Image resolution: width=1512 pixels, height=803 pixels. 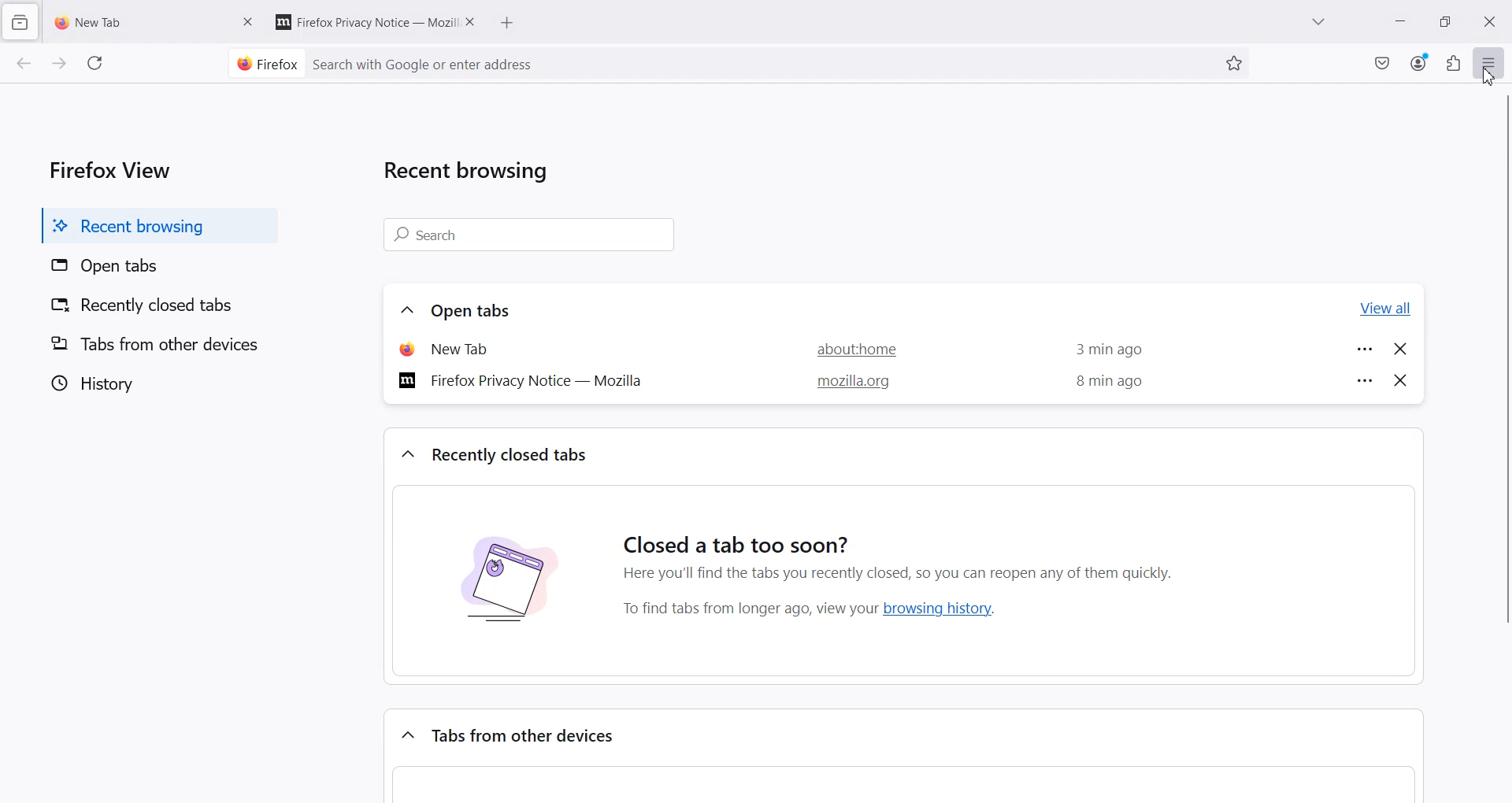 What do you see at coordinates (1402, 348) in the screenshot?
I see `Close` at bounding box center [1402, 348].